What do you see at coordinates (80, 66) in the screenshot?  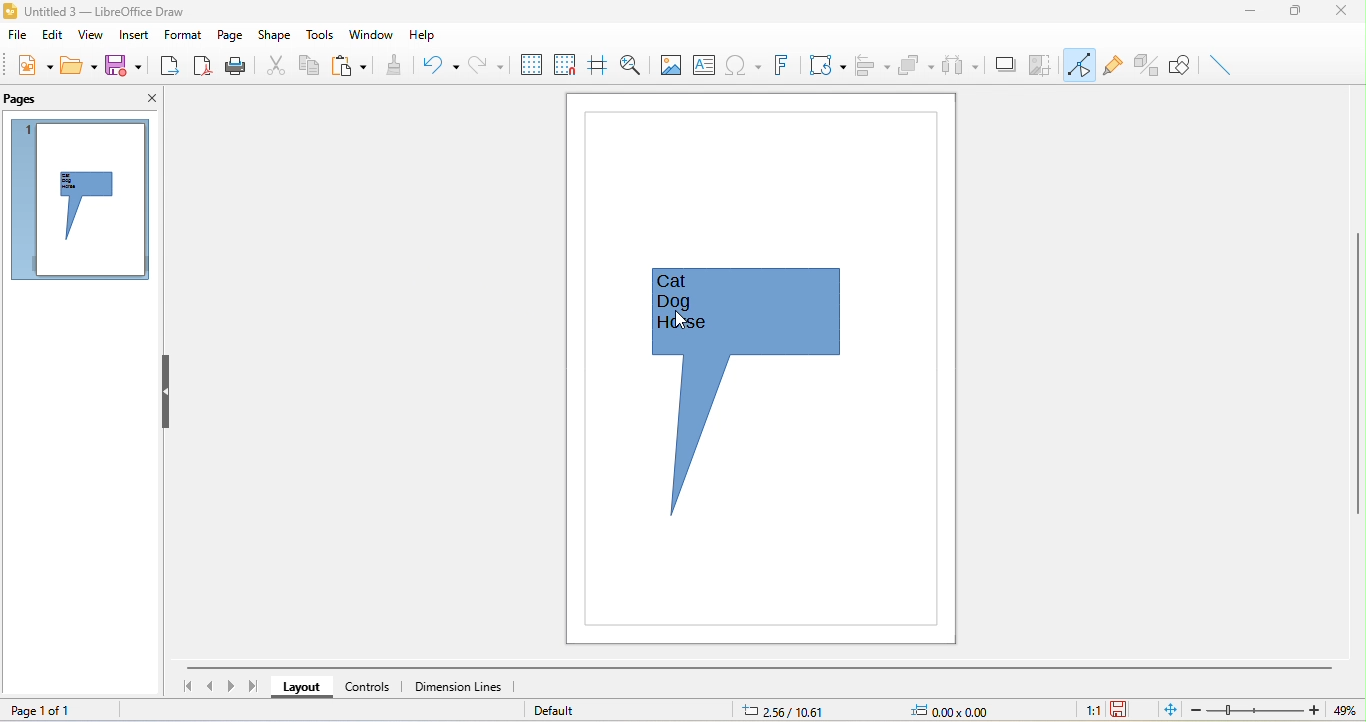 I see `open` at bounding box center [80, 66].